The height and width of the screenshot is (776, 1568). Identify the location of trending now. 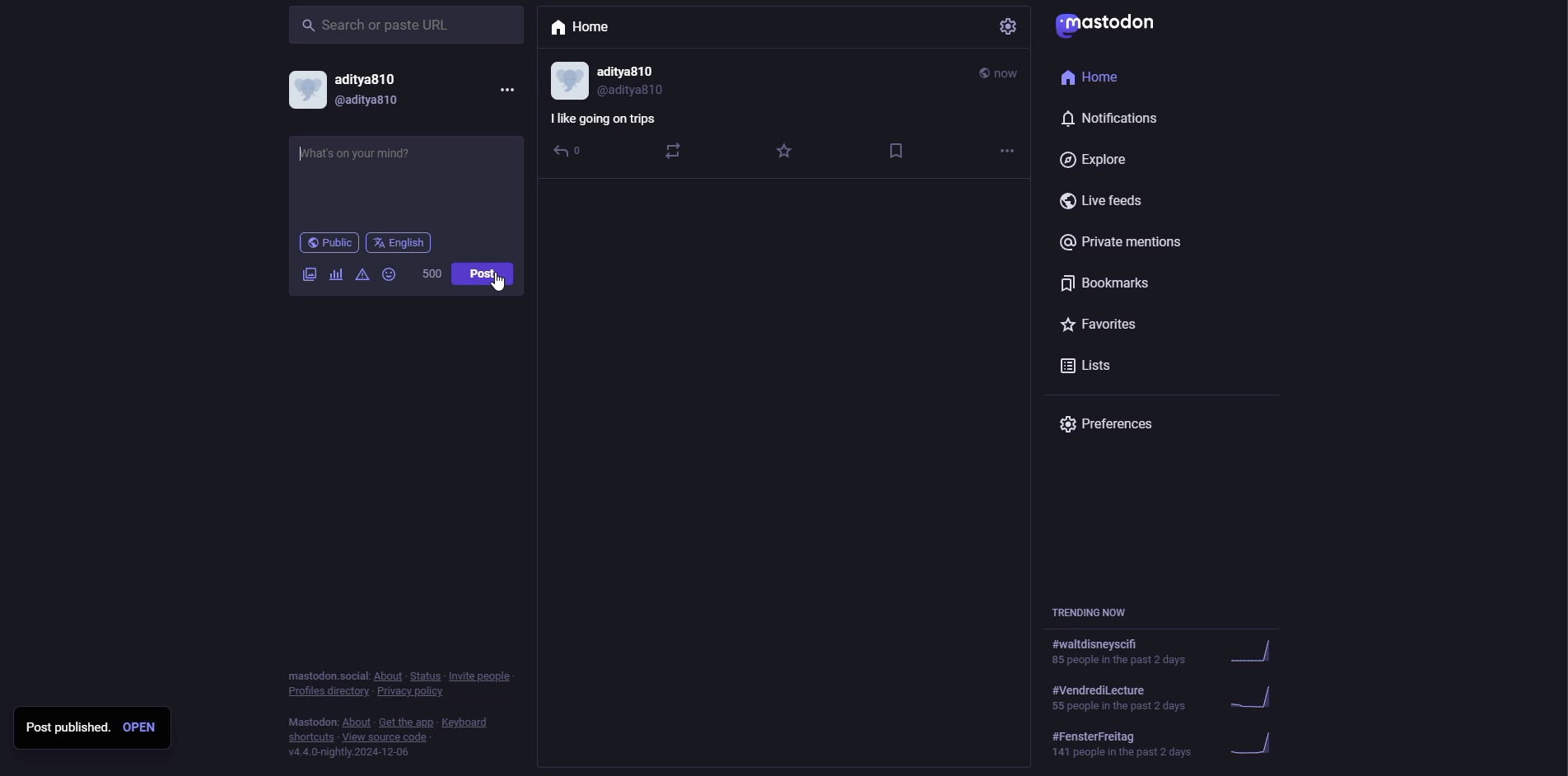
(1095, 610).